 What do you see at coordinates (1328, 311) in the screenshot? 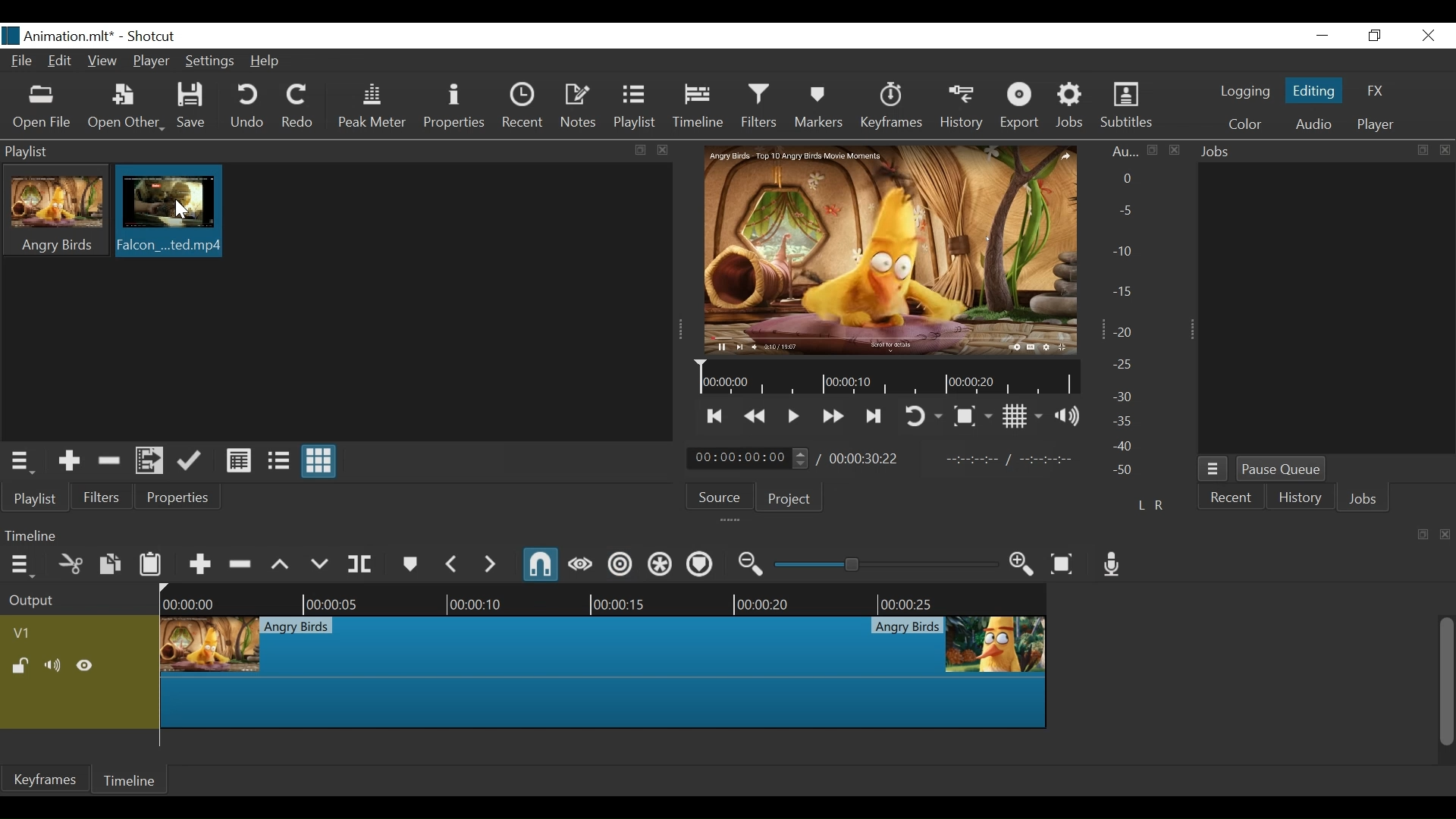
I see `Jobs Panel` at bounding box center [1328, 311].